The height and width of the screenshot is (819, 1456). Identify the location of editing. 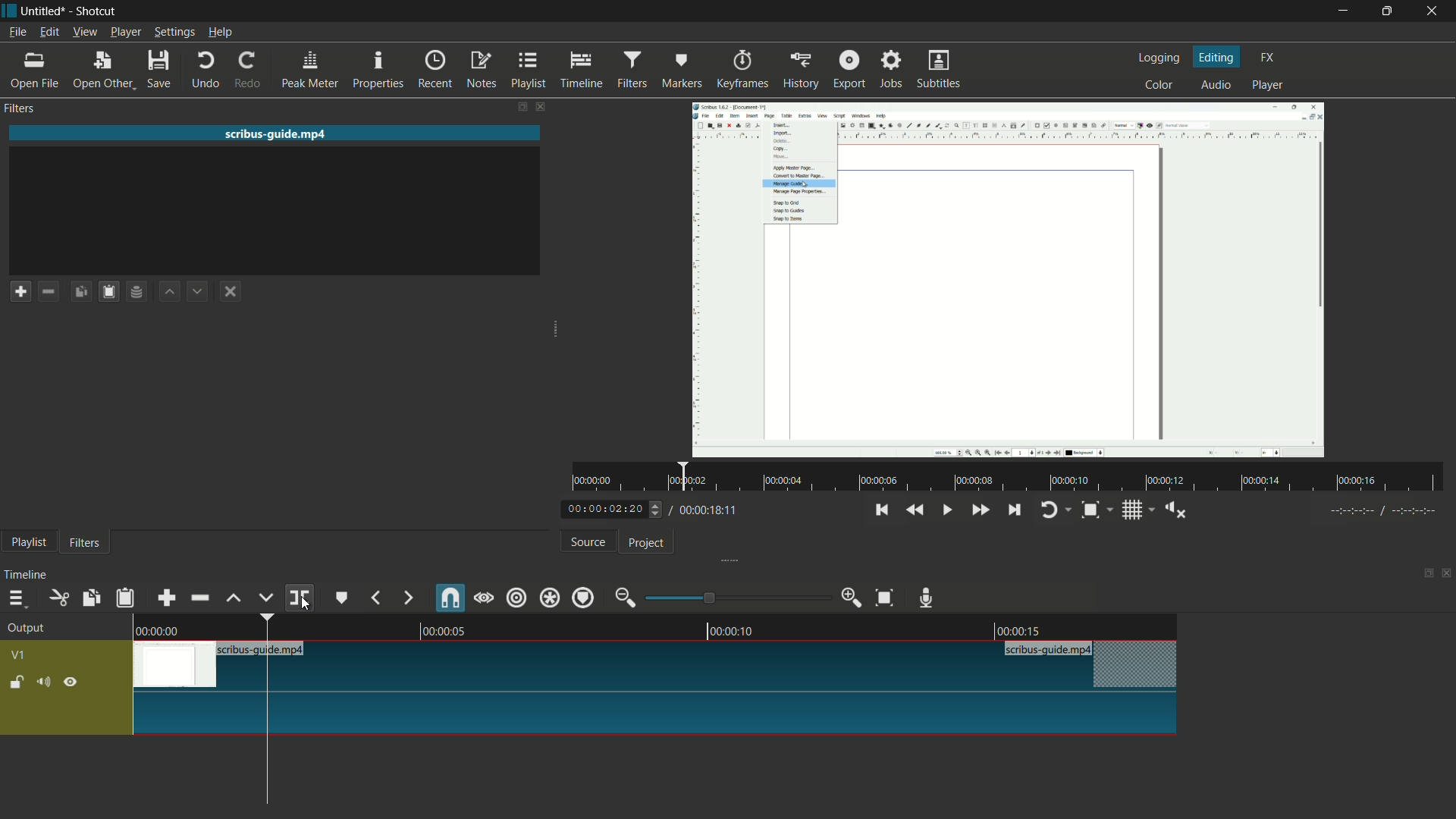
(1218, 56).